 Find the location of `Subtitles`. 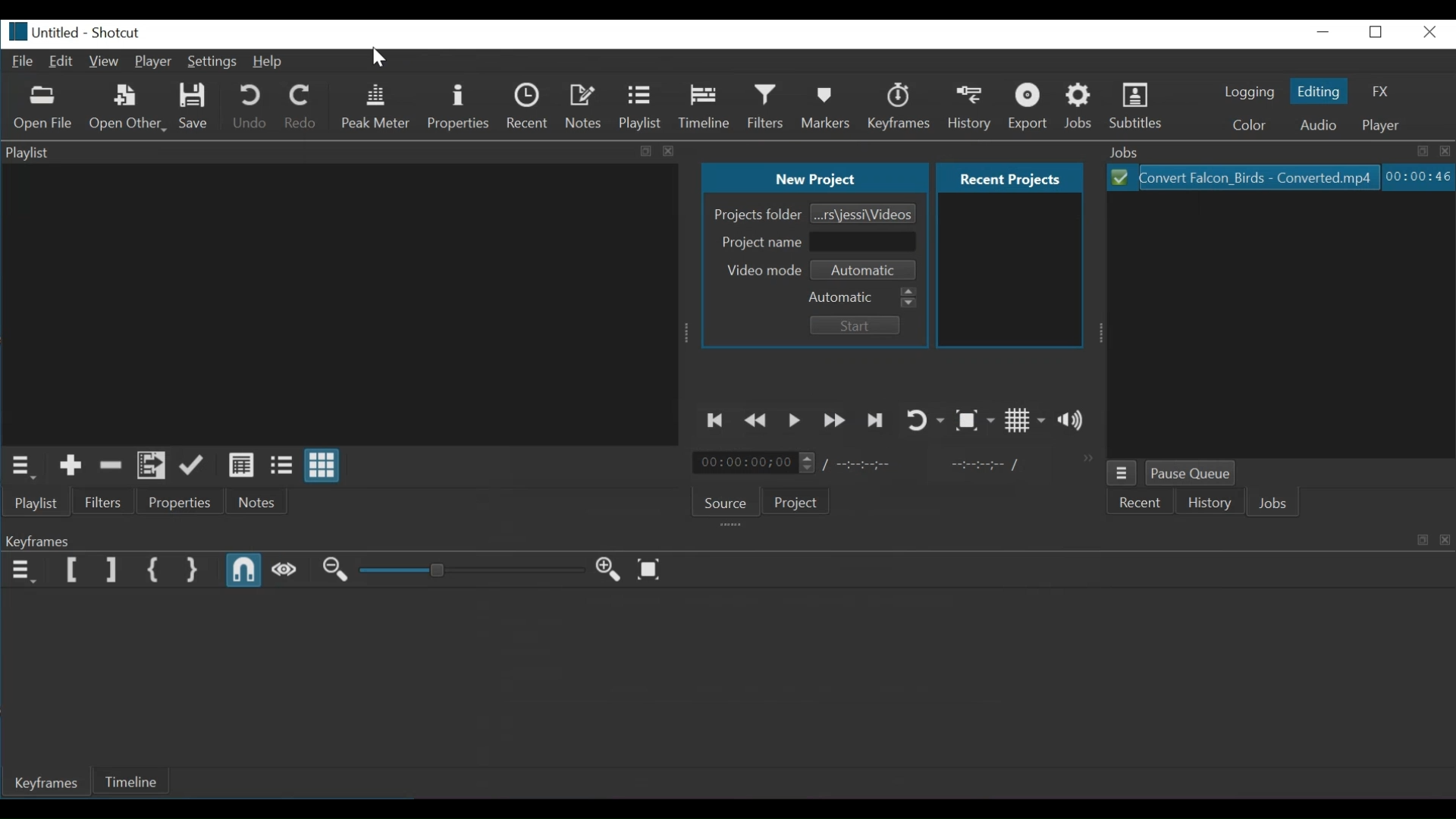

Subtitles is located at coordinates (1141, 106).